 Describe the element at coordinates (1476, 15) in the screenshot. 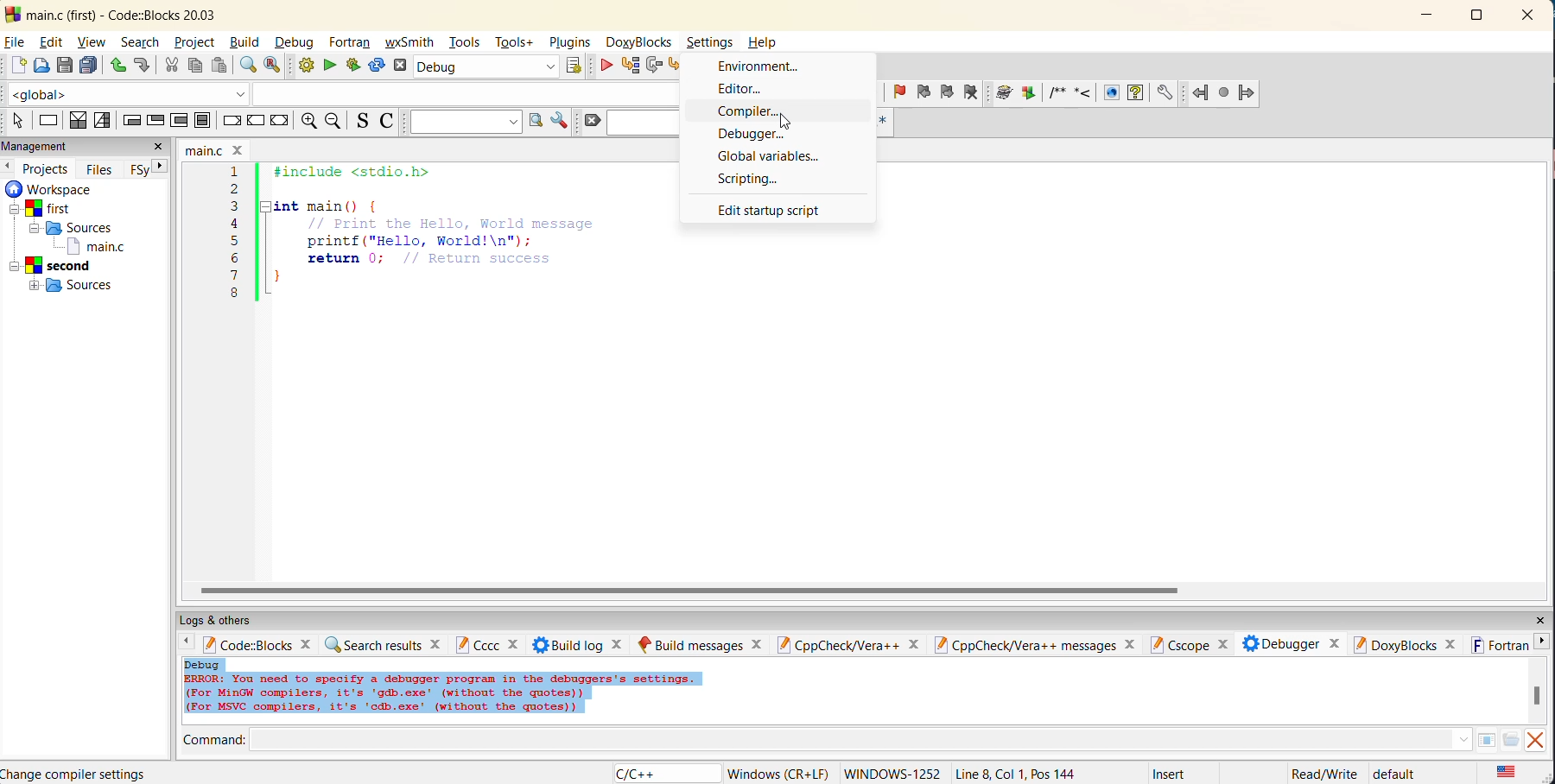

I see `maximize` at that location.